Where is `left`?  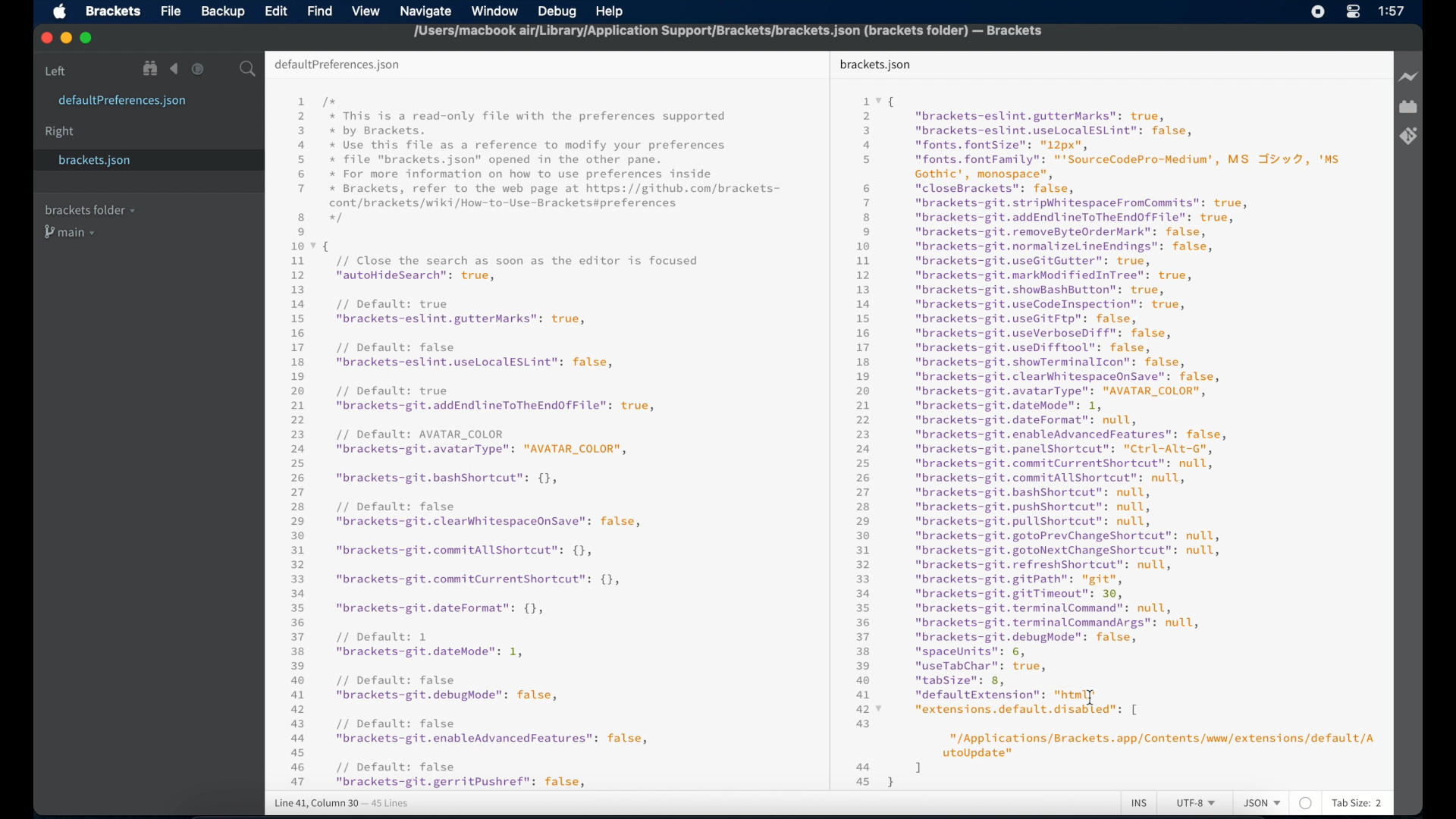 left is located at coordinates (56, 71).